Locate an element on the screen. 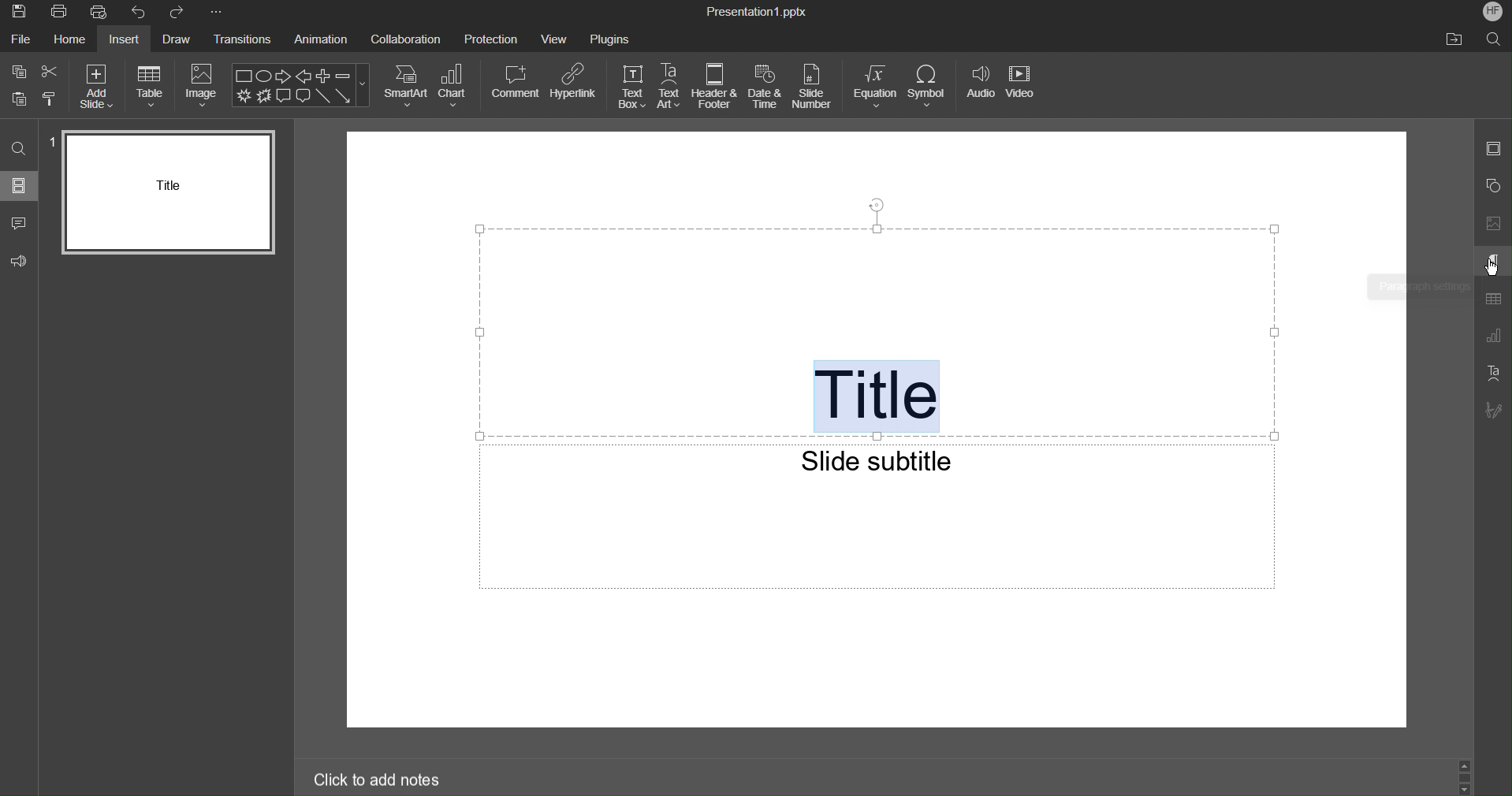 The image size is (1512, 796). View is located at coordinates (554, 41).